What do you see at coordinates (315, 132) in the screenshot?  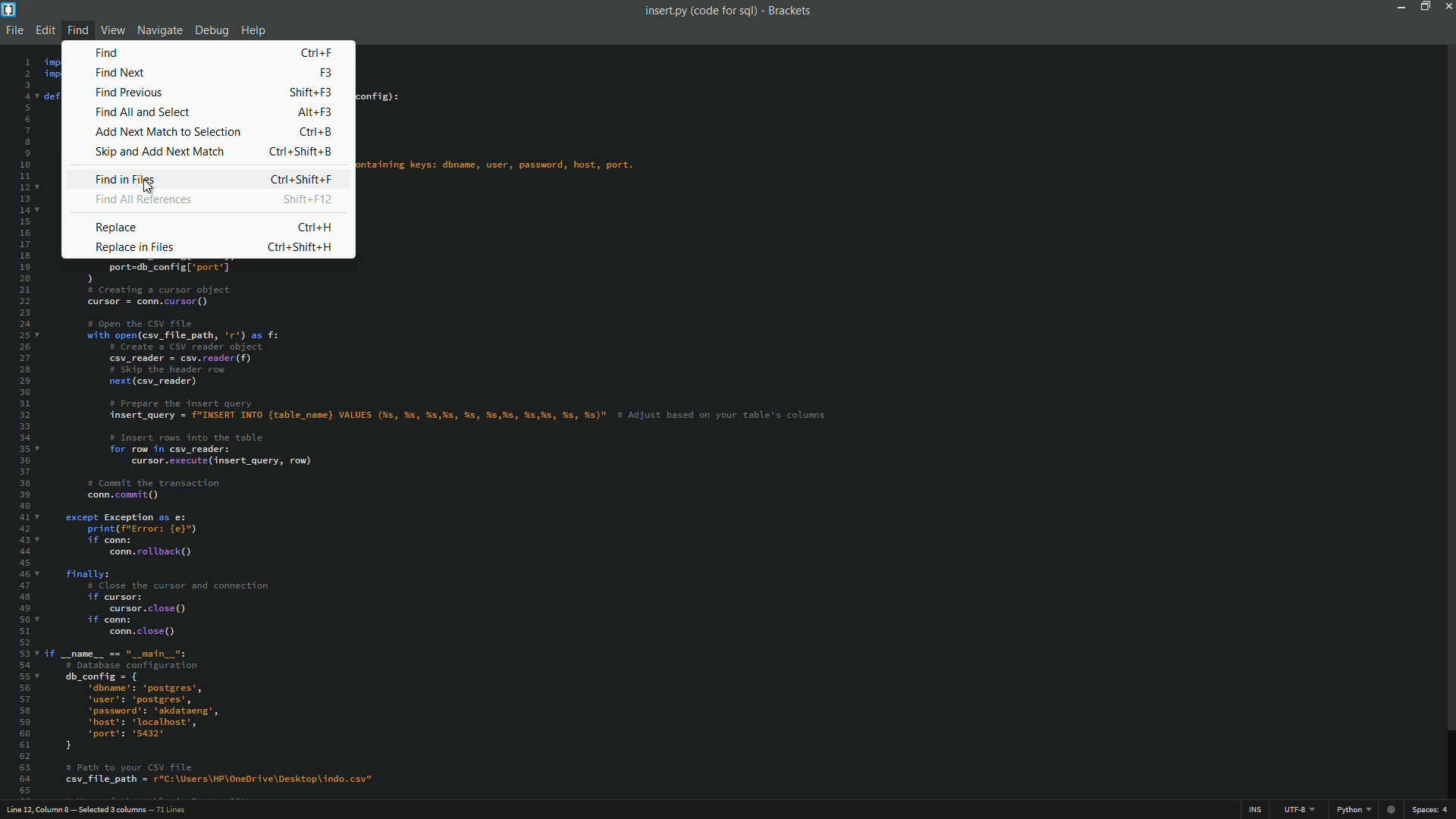 I see `keyboard shortcut` at bounding box center [315, 132].